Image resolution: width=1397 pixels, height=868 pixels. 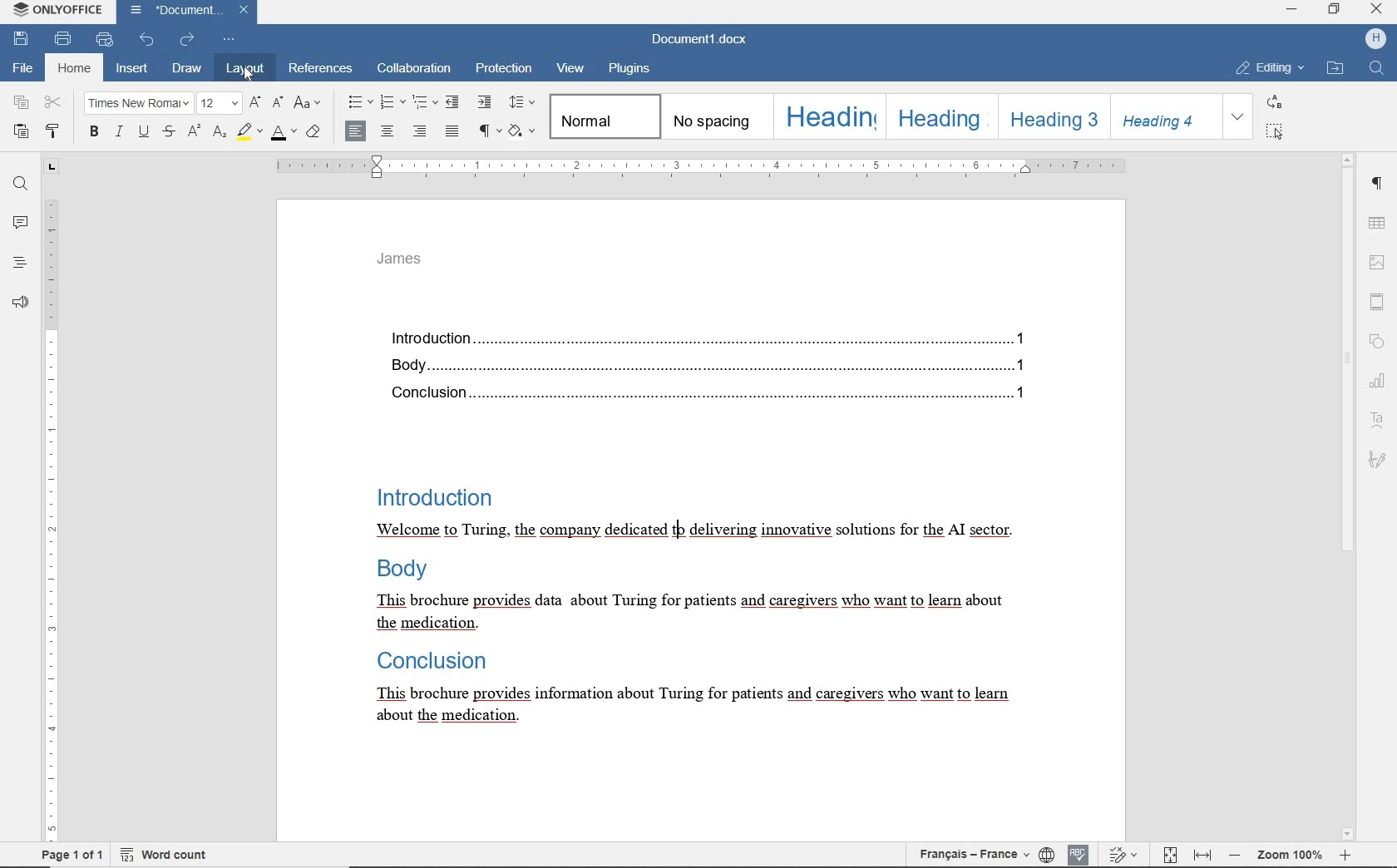 I want to click on cut, so click(x=54, y=101).